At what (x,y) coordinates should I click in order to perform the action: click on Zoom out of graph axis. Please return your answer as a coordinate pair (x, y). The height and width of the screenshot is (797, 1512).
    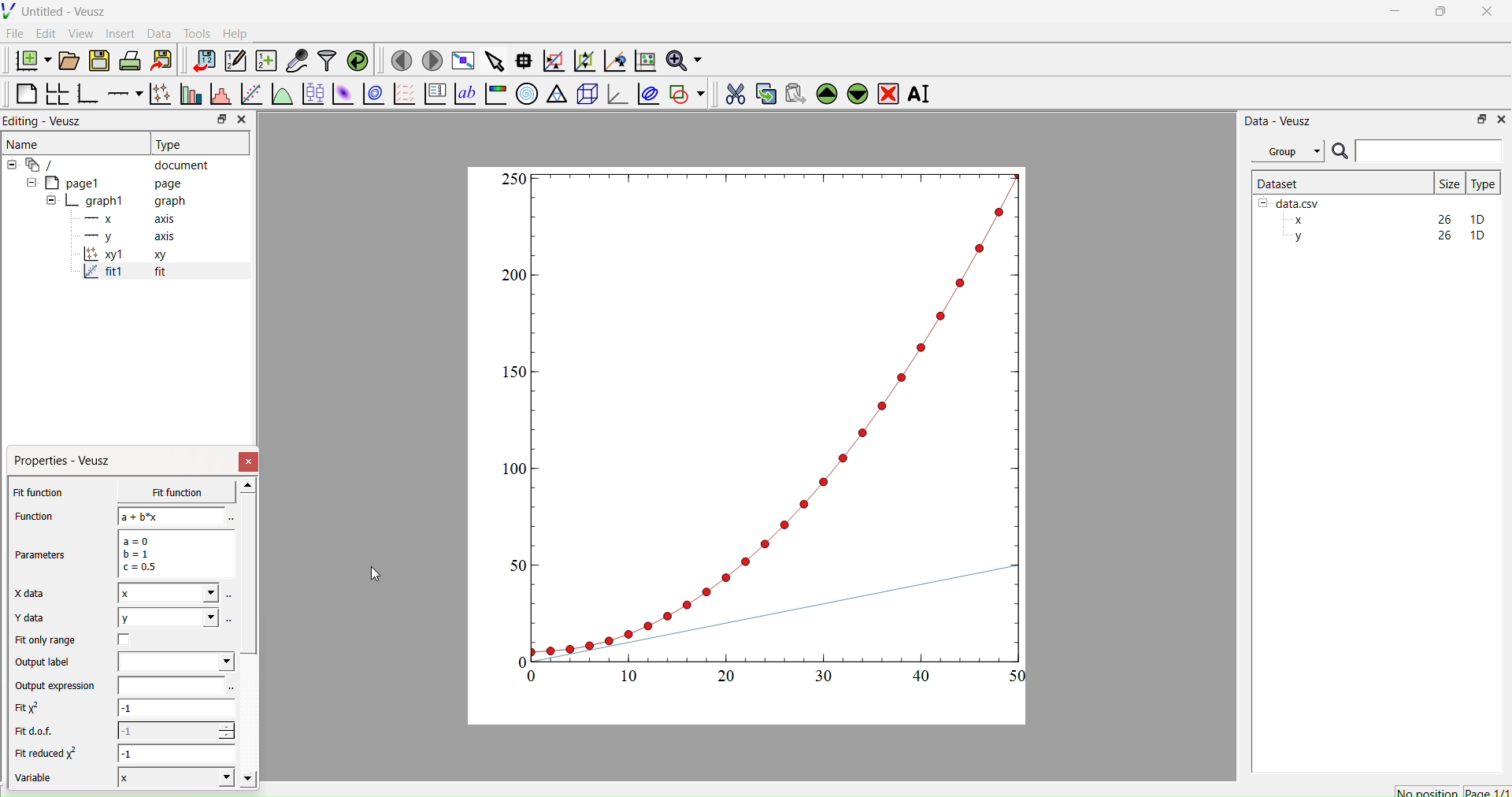
    Looking at the image, I should click on (583, 59).